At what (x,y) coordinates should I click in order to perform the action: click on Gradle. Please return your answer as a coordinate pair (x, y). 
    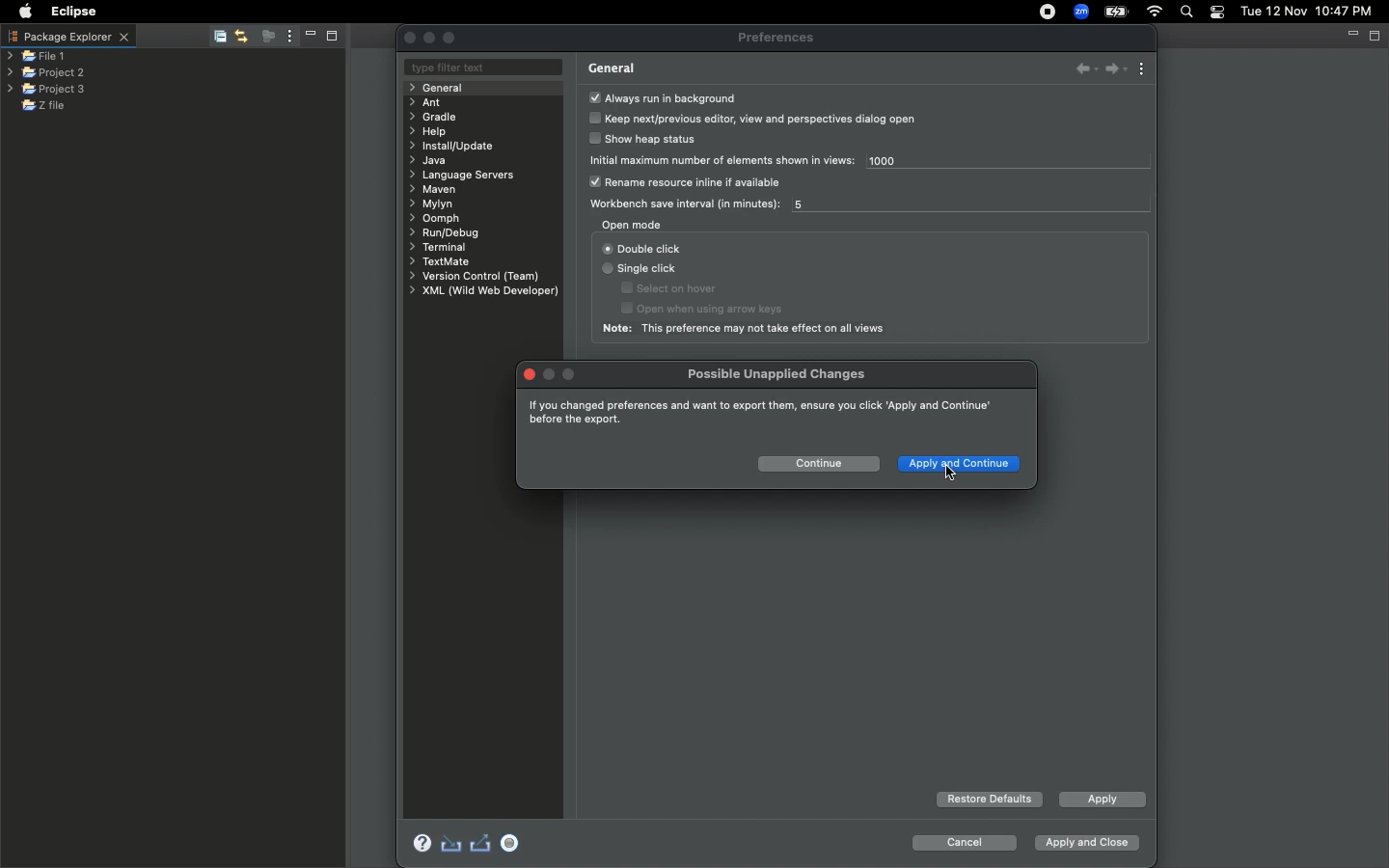
    Looking at the image, I should click on (436, 117).